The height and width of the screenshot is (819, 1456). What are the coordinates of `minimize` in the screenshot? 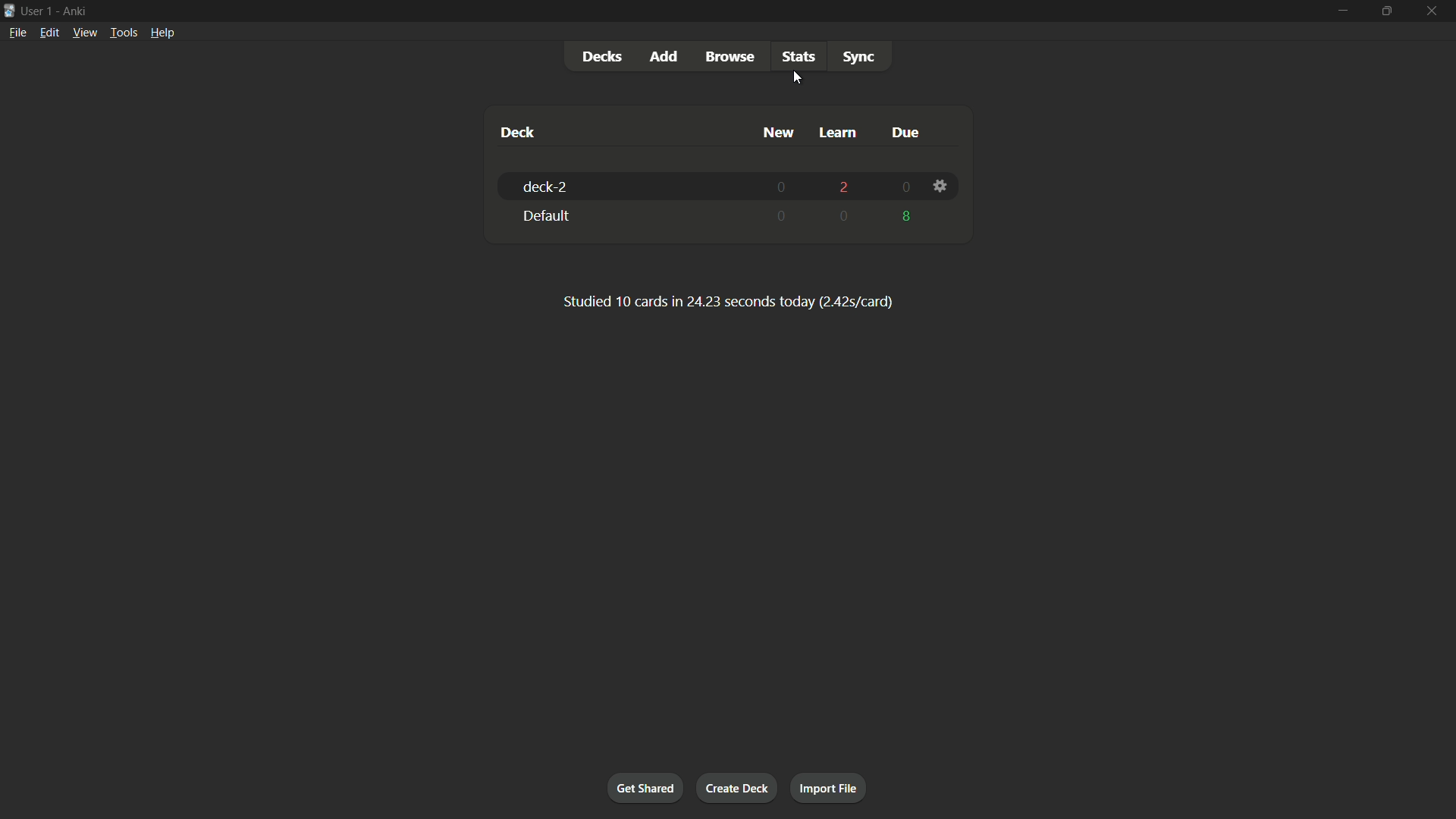 It's located at (1339, 17).